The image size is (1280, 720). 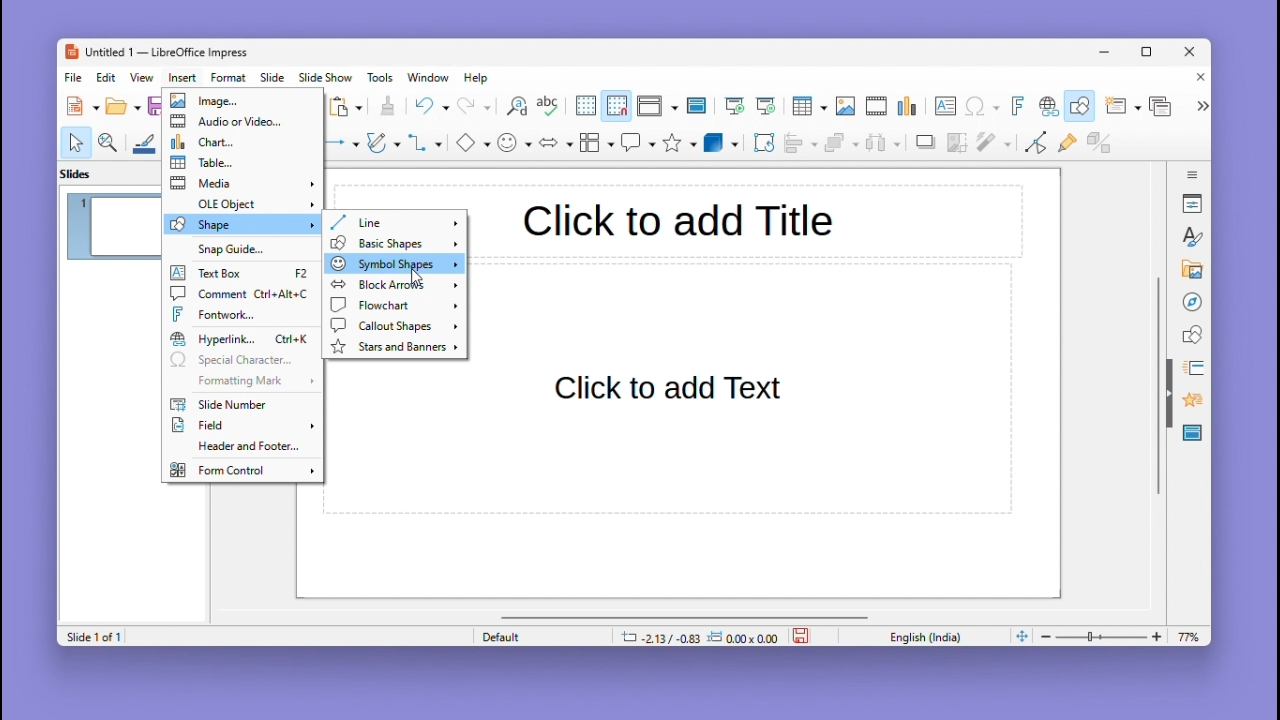 What do you see at coordinates (1106, 636) in the screenshot?
I see `zoom toggle bar` at bounding box center [1106, 636].